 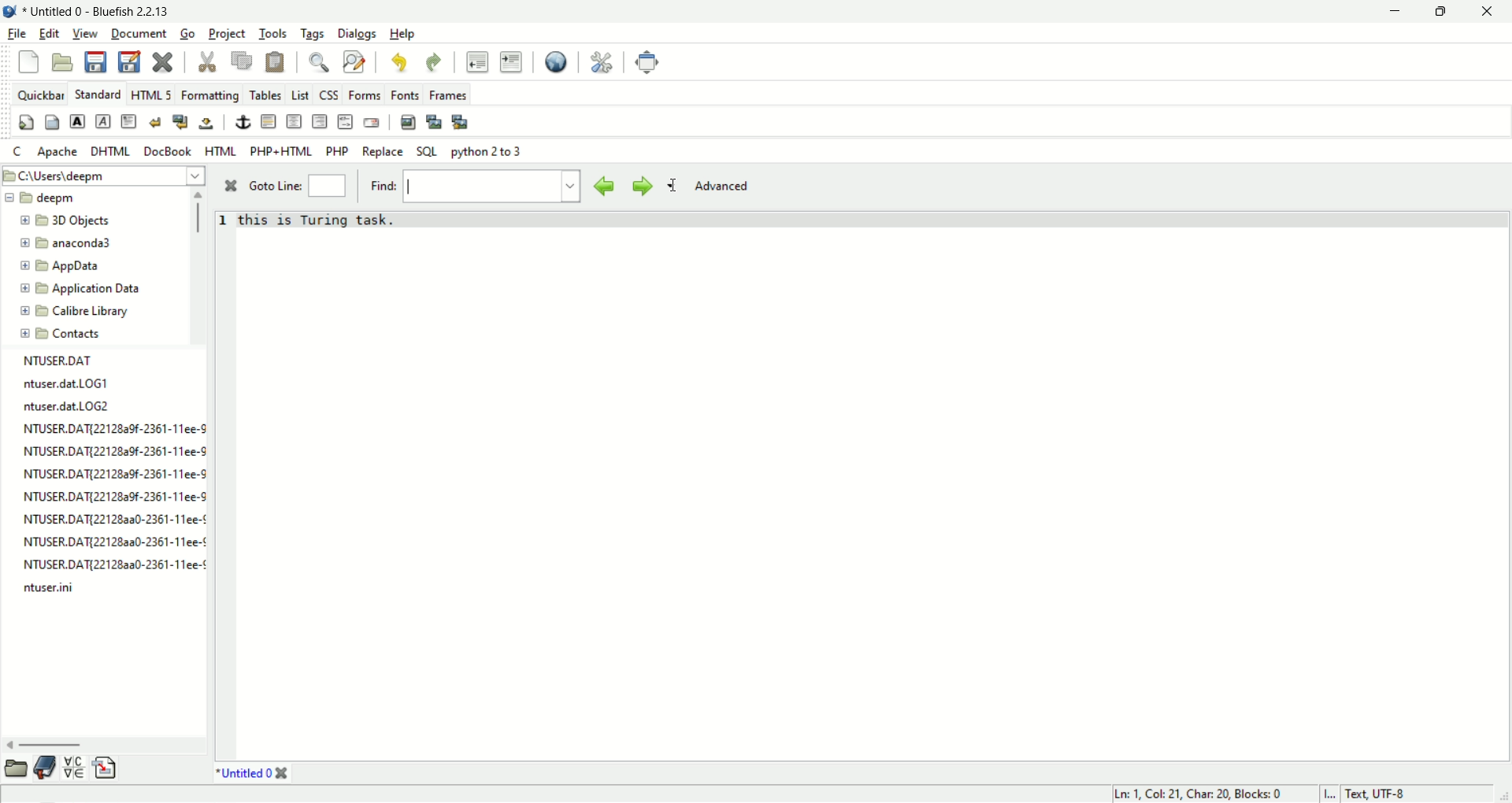 I want to click on insert thumbnail, so click(x=435, y=121).